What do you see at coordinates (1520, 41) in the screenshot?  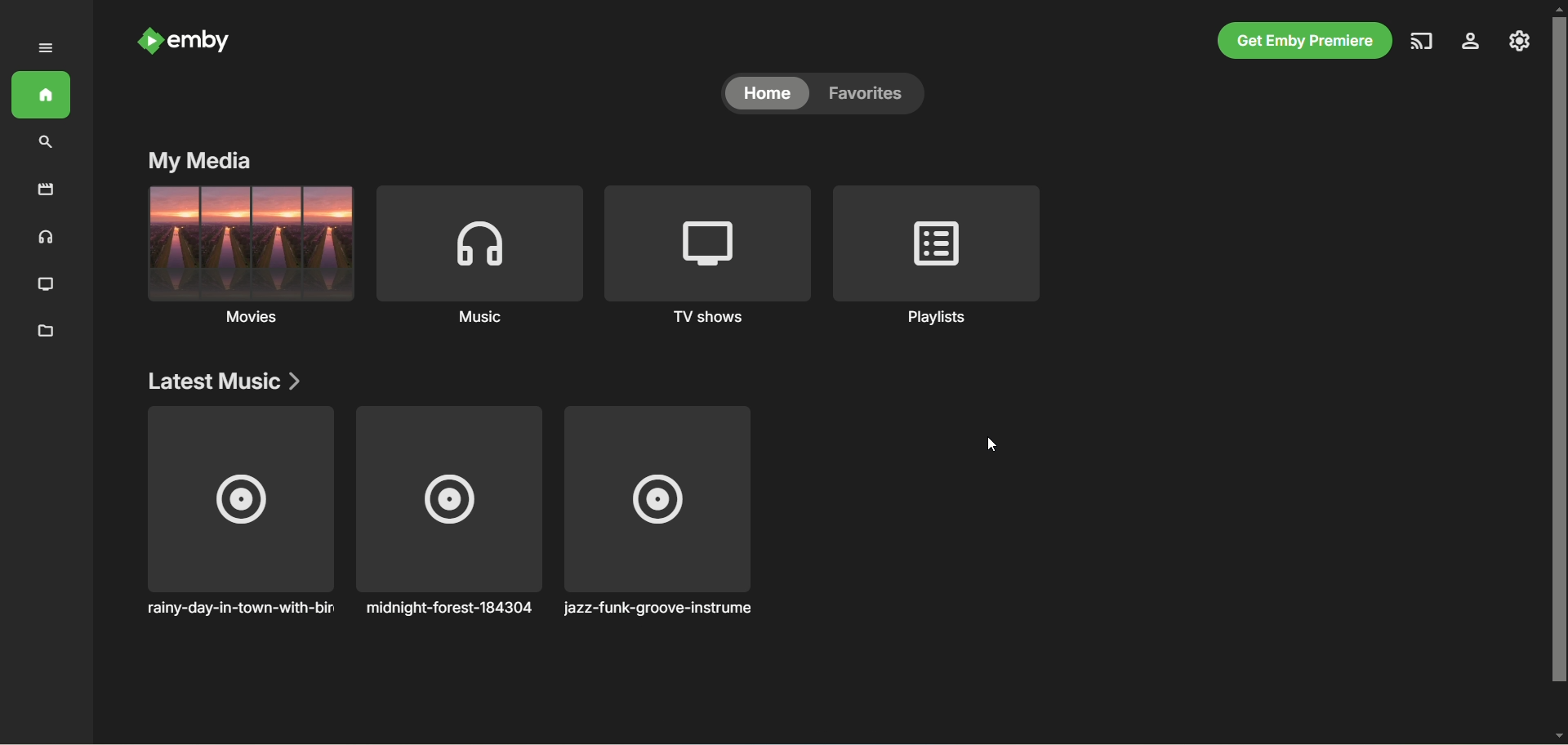 I see `manage emby server` at bounding box center [1520, 41].